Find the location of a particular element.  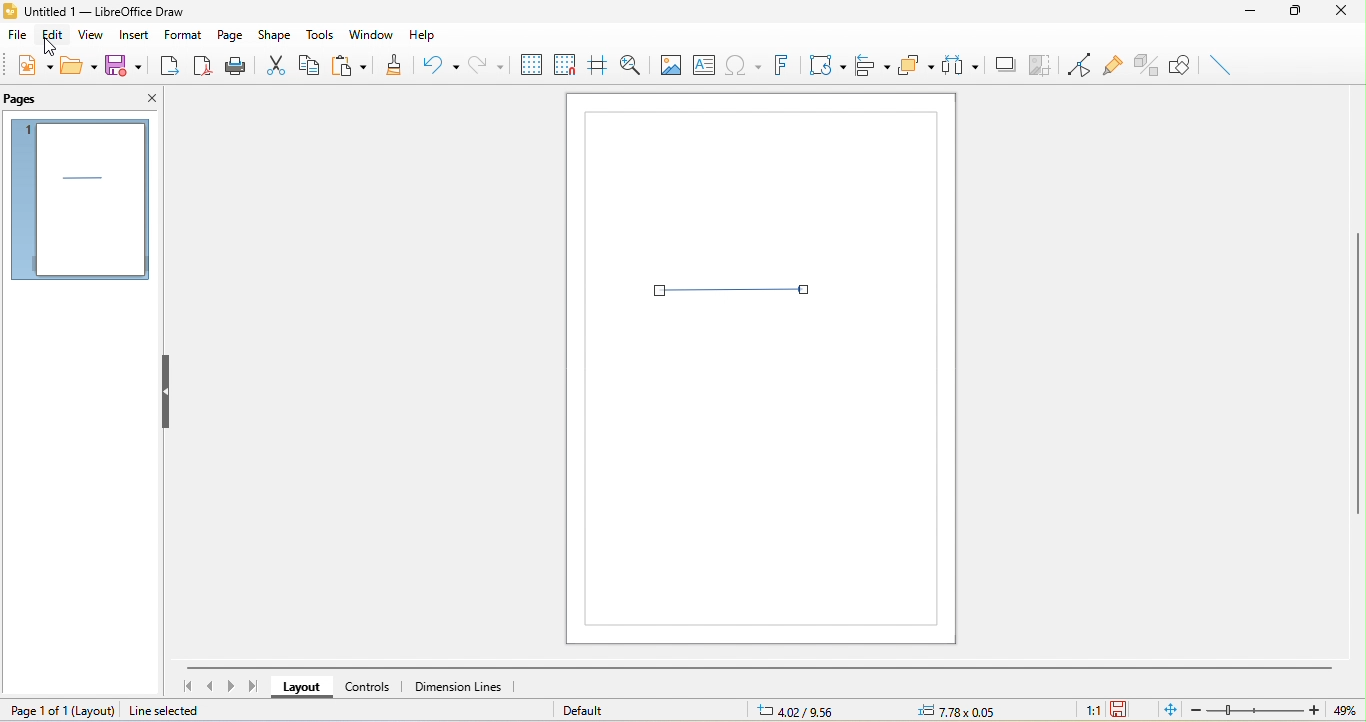

dimension lines is located at coordinates (467, 687).